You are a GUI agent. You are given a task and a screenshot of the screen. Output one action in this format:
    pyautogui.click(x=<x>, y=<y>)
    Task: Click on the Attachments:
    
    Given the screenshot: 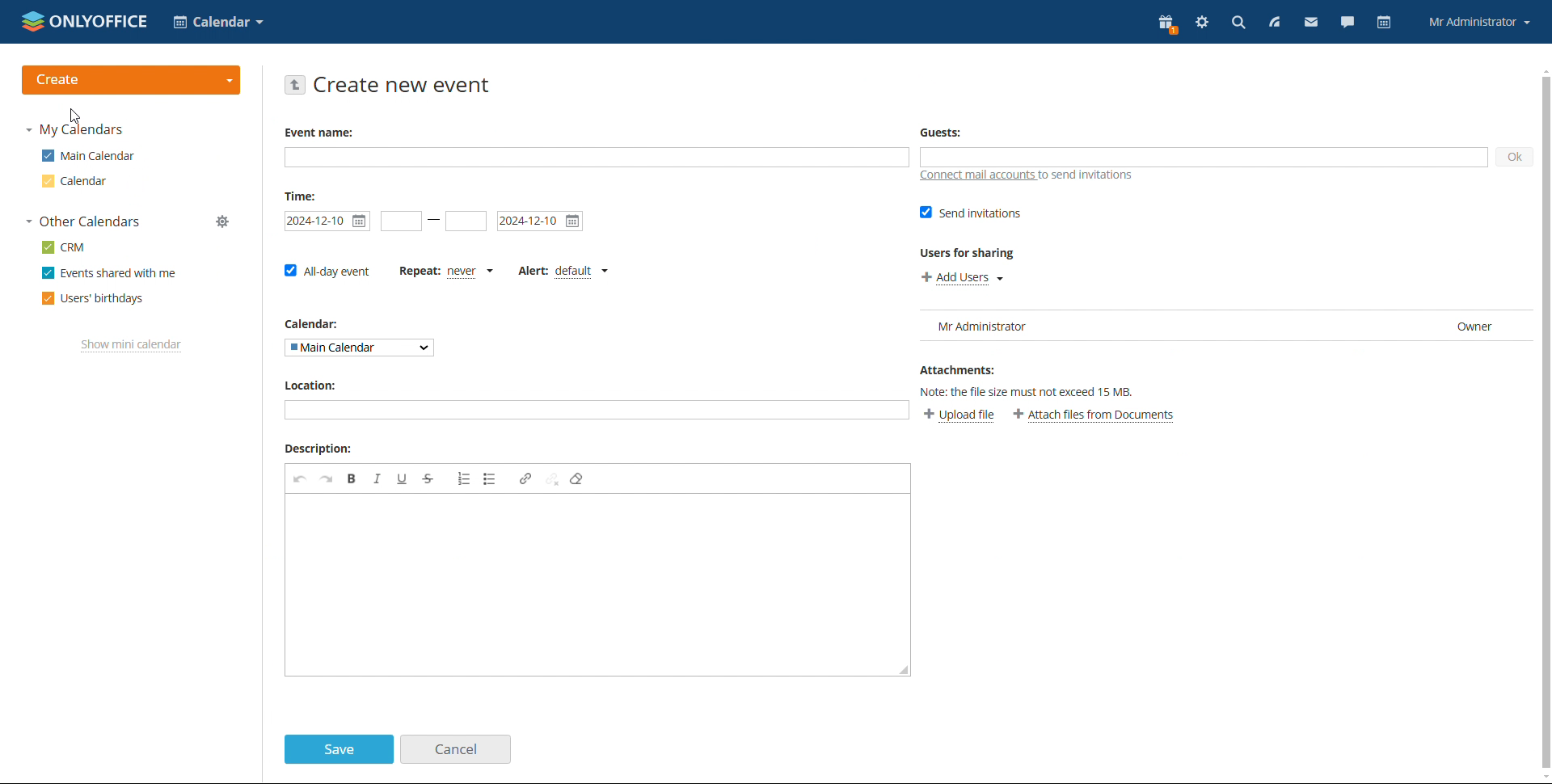 What is the action you would take?
    pyautogui.click(x=959, y=369)
    